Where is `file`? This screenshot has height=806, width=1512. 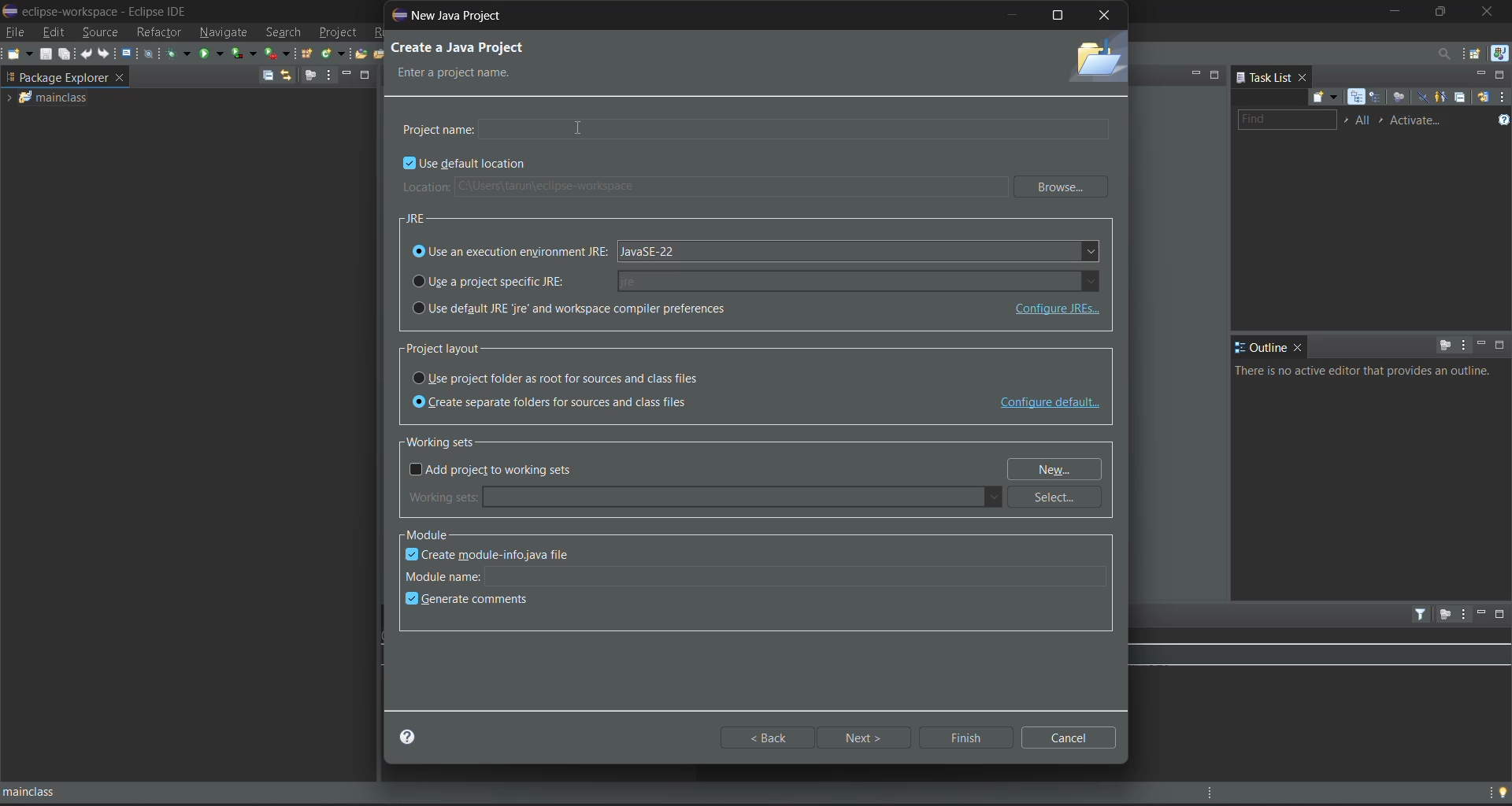
file is located at coordinates (16, 31).